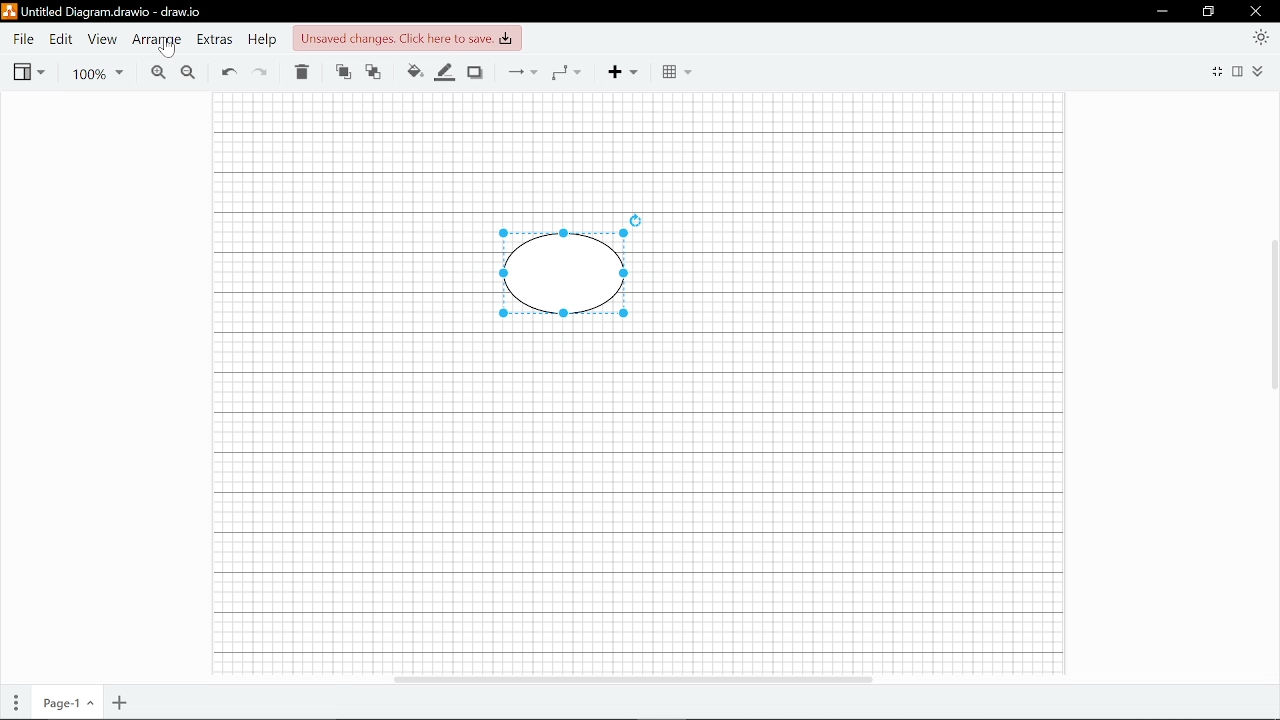 This screenshot has height=720, width=1280. Describe the element at coordinates (523, 72) in the screenshot. I see `Connector` at that location.